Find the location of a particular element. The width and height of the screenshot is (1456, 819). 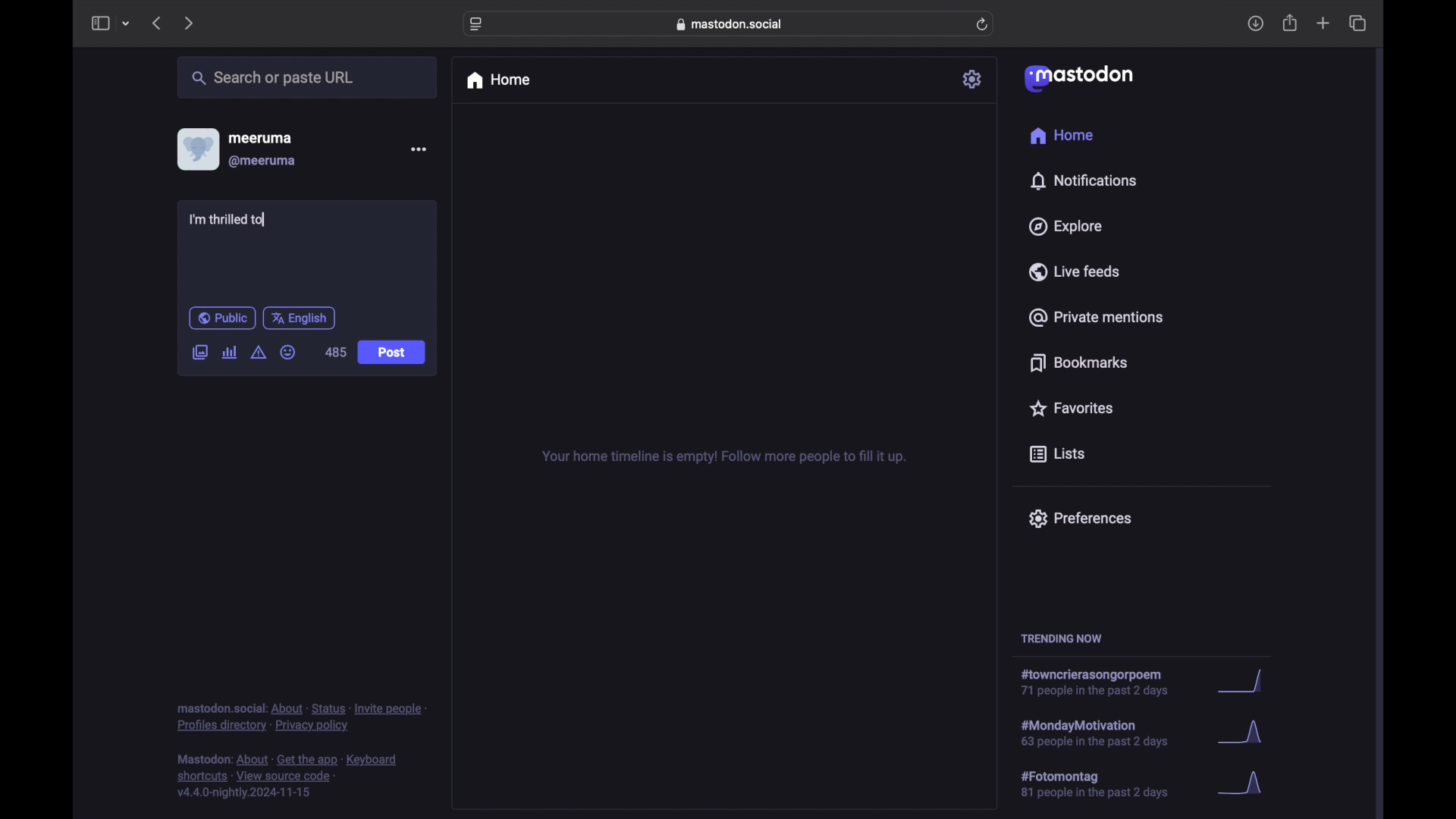

hashtag trend is located at coordinates (1100, 682).